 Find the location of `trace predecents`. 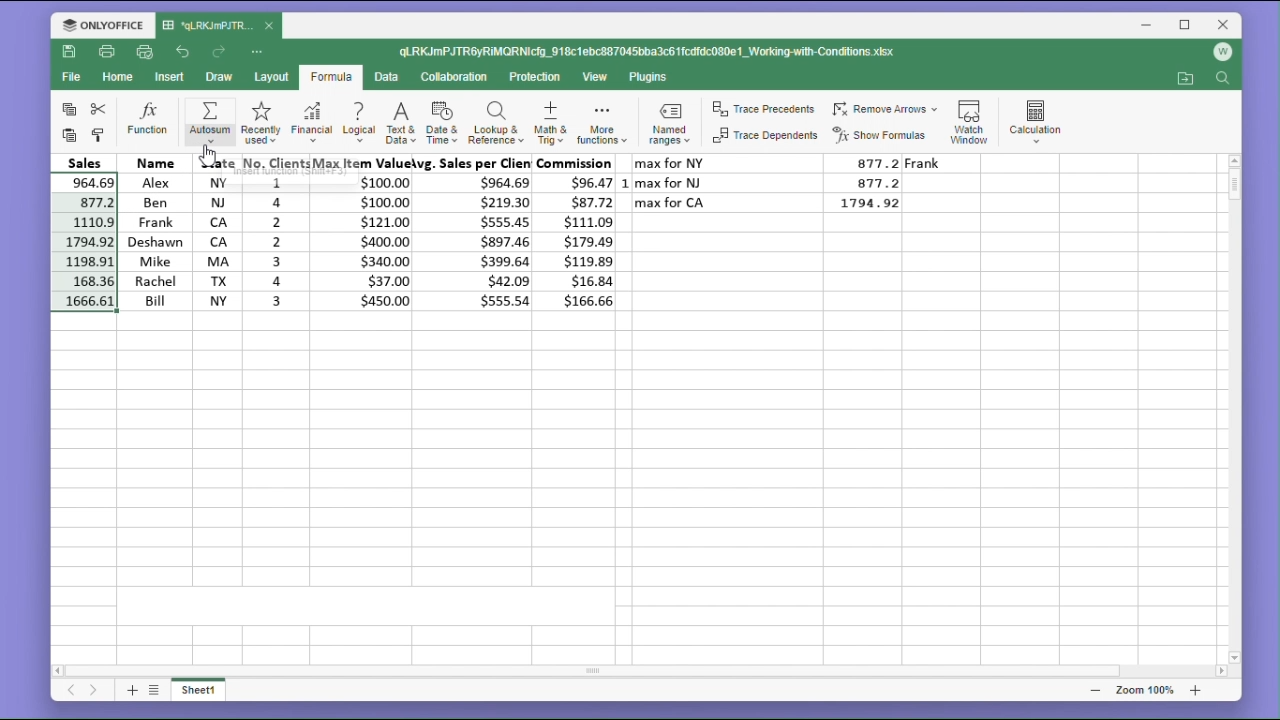

trace predecents is located at coordinates (762, 110).